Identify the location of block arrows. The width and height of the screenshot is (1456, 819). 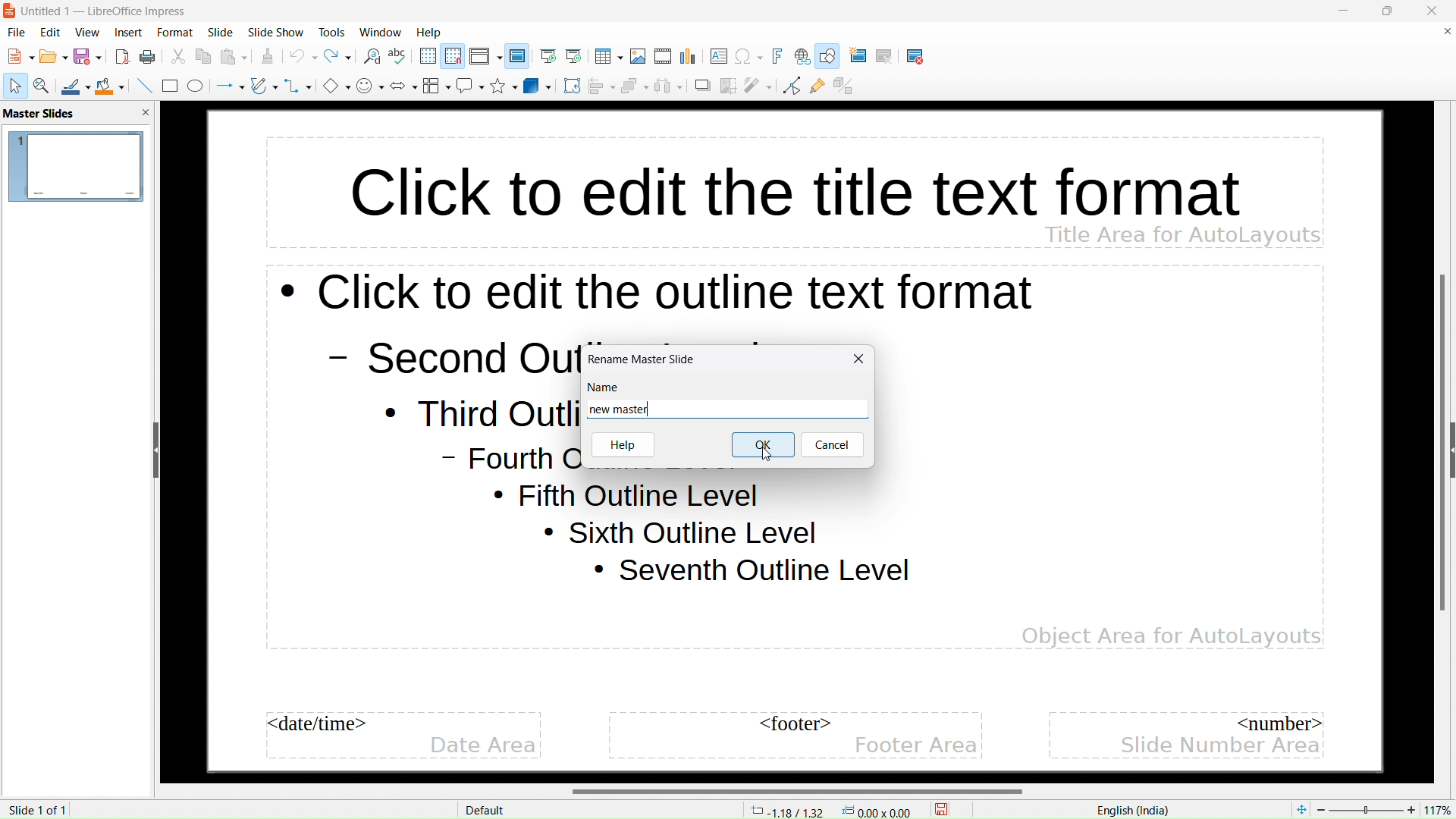
(403, 85).